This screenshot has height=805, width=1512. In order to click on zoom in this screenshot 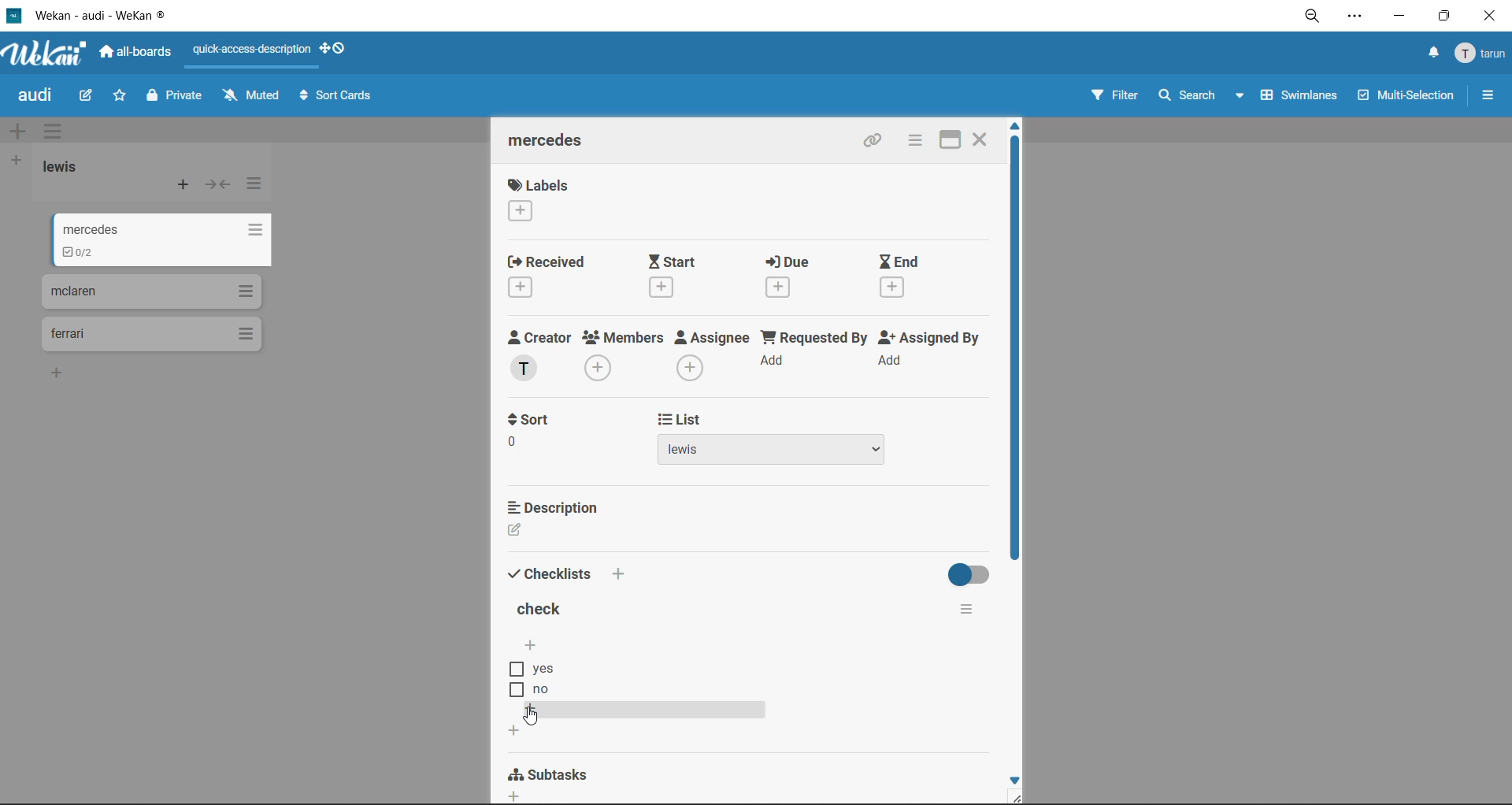, I will do `click(1310, 16)`.